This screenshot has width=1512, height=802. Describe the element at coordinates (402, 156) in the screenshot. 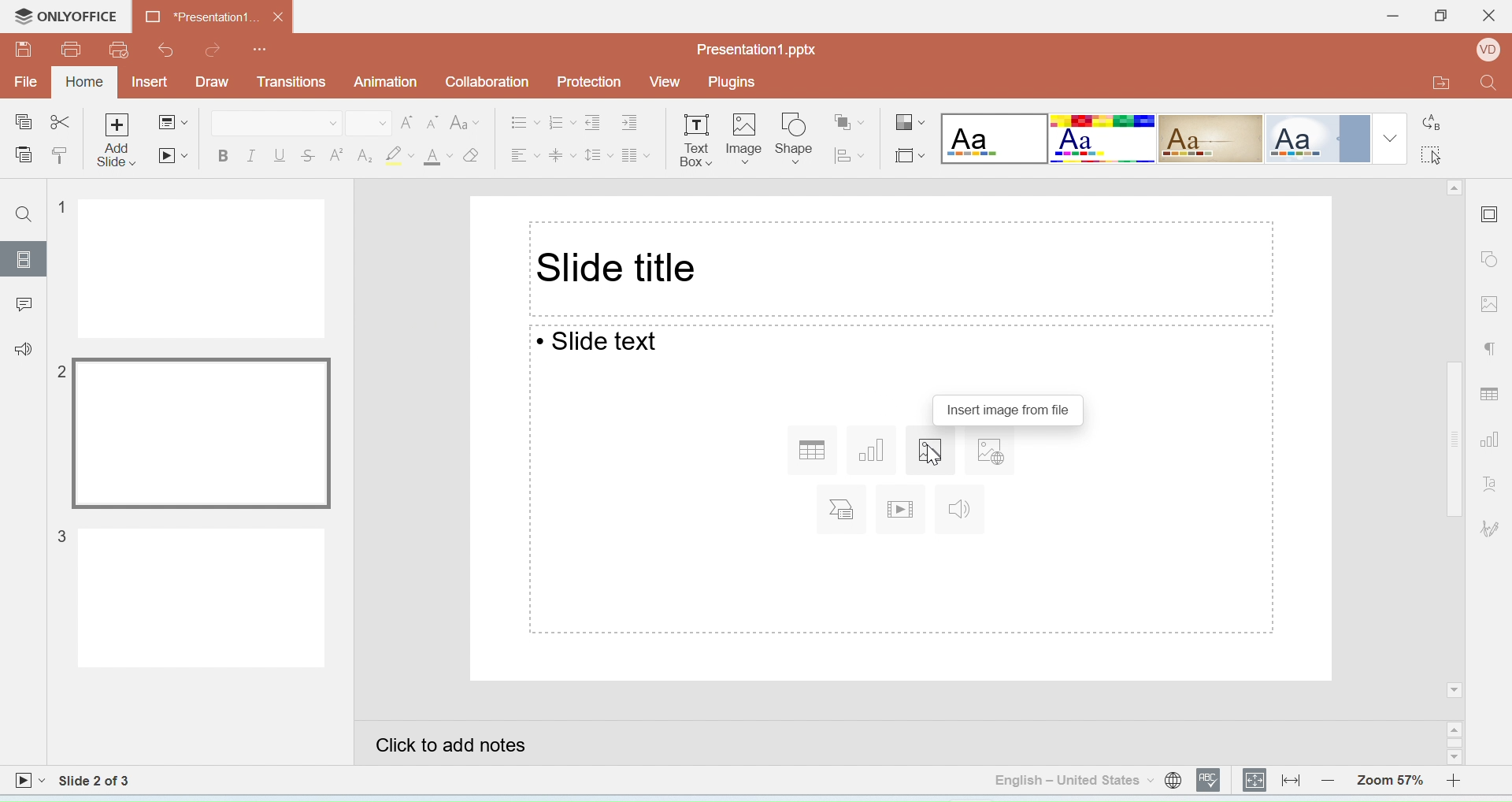

I see `Highlight color` at that location.